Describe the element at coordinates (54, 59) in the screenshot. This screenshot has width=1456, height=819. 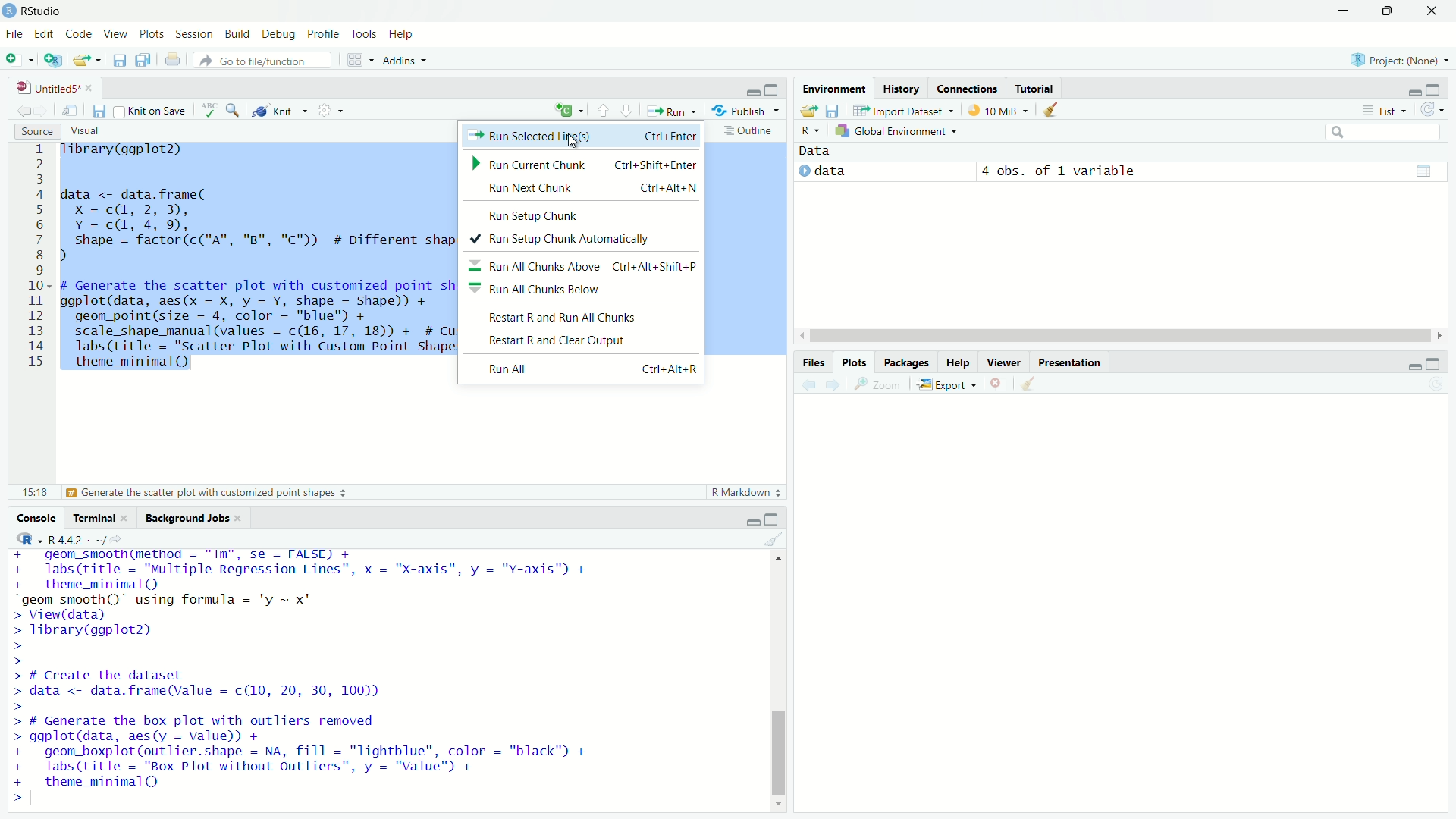
I see `Create a project` at that location.